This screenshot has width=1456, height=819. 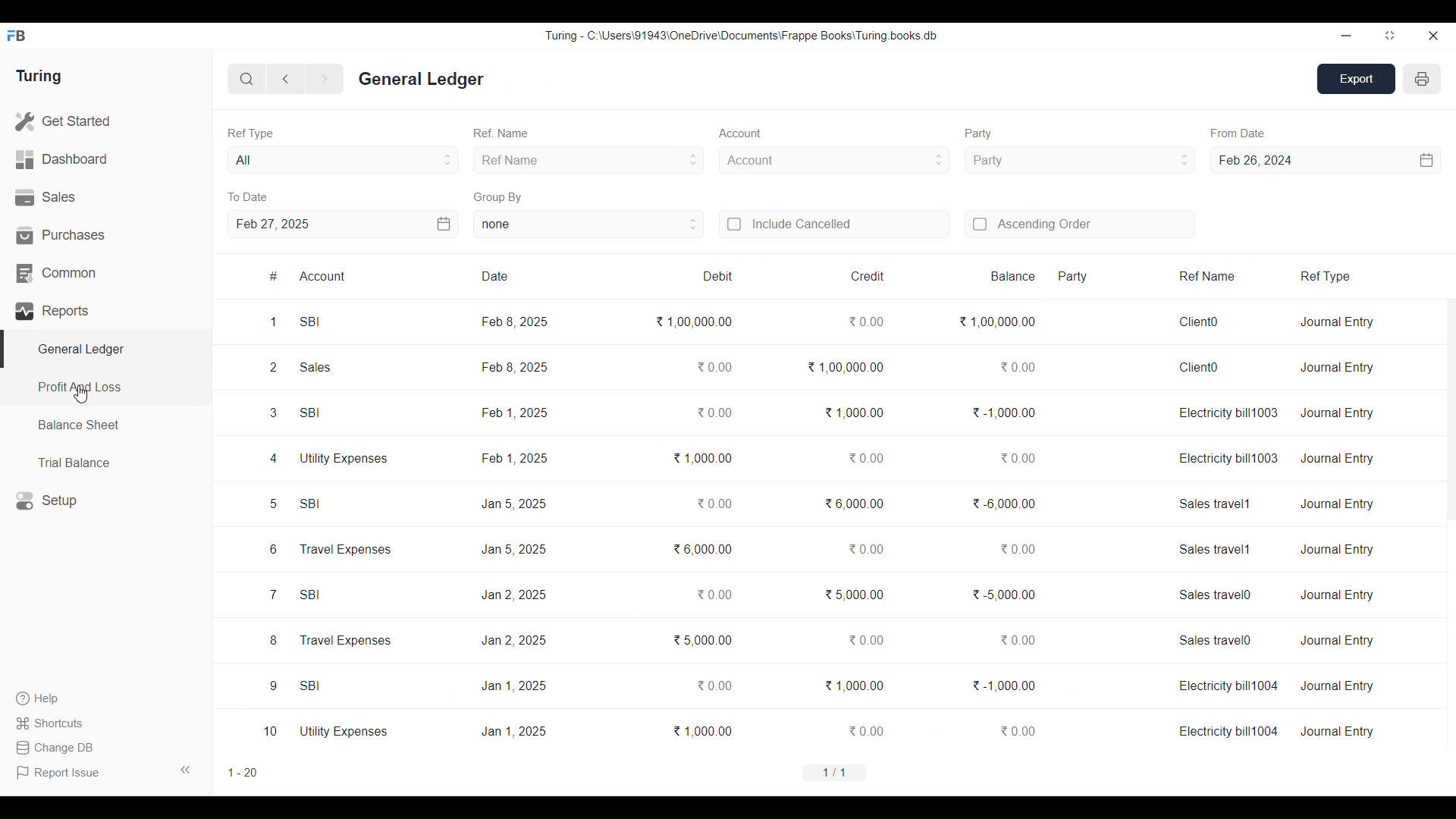 I want to click on All, so click(x=344, y=159).